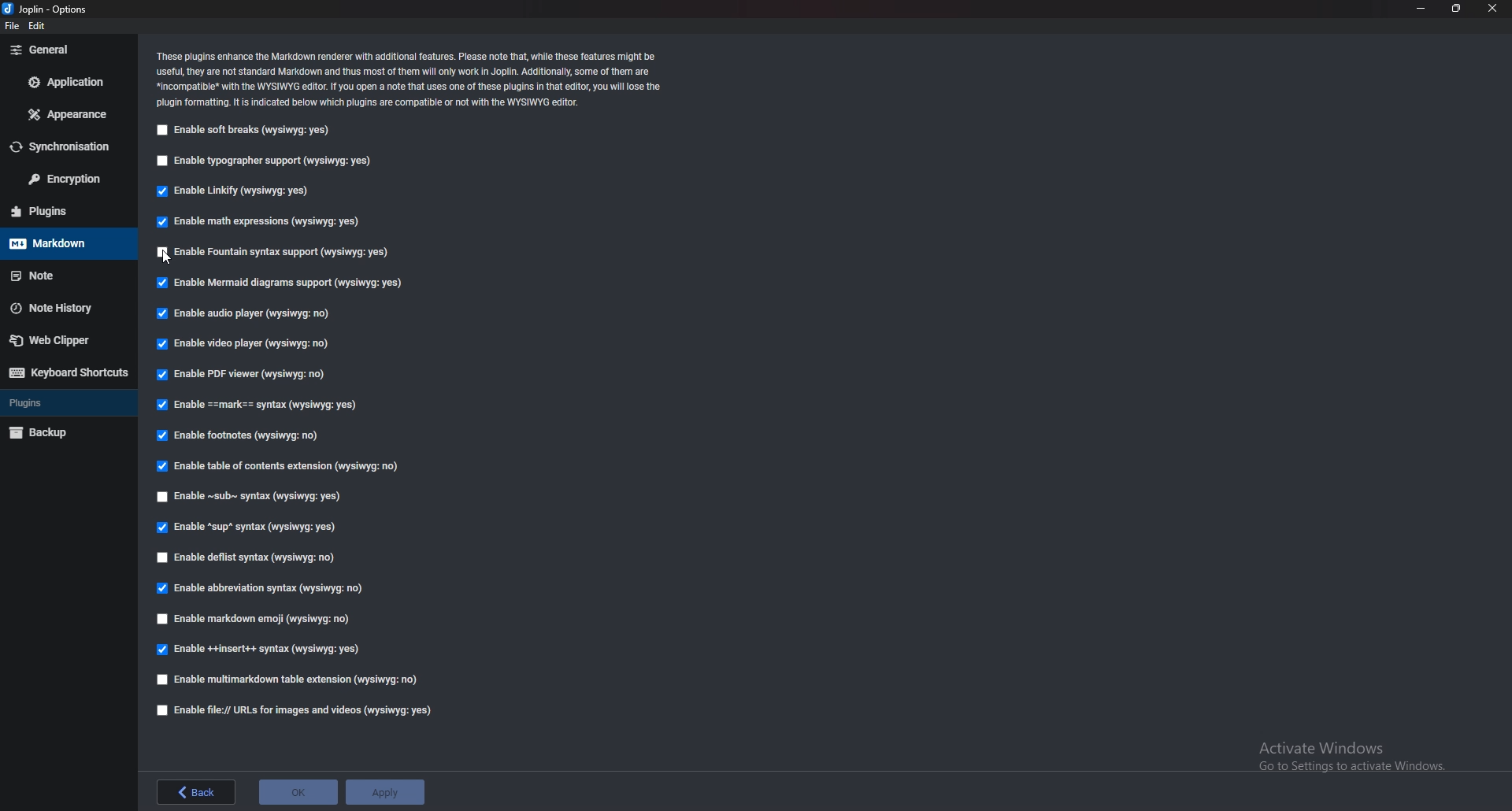  What do you see at coordinates (240, 313) in the screenshot?
I see `Enable audio player` at bounding box center [240, 313].